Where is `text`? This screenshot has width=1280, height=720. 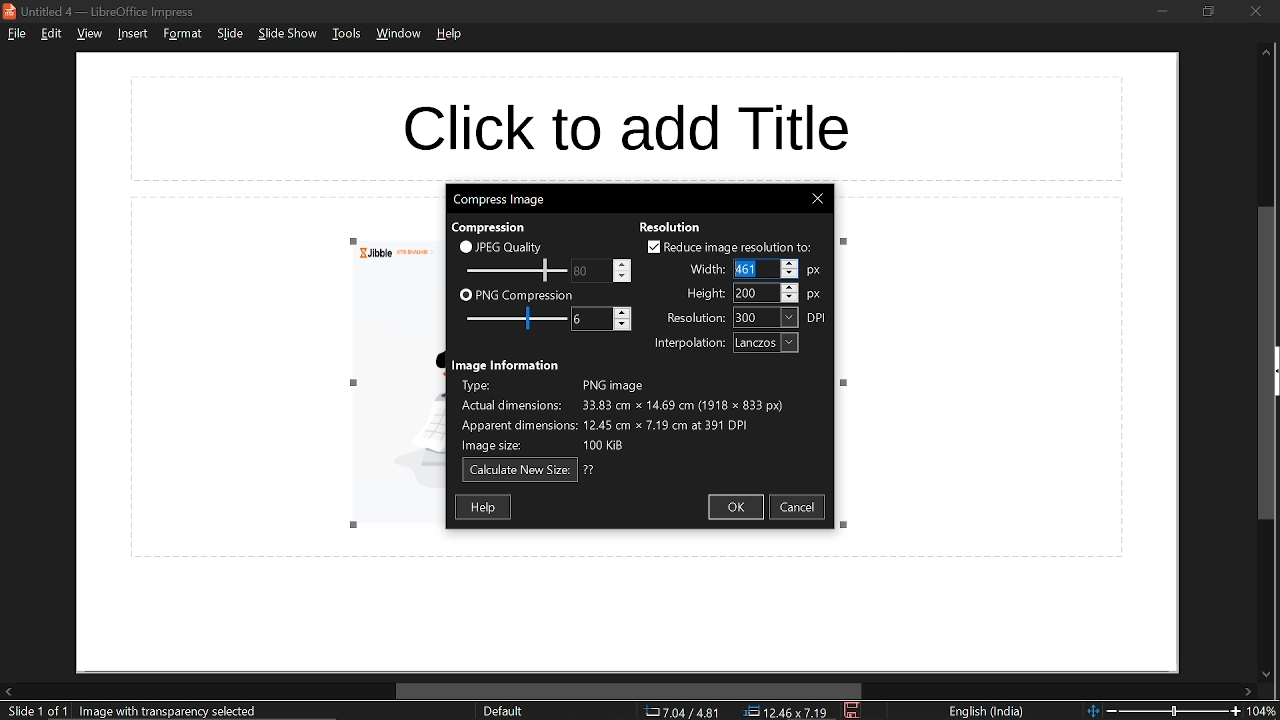
text is located at coordinates (689, 344).